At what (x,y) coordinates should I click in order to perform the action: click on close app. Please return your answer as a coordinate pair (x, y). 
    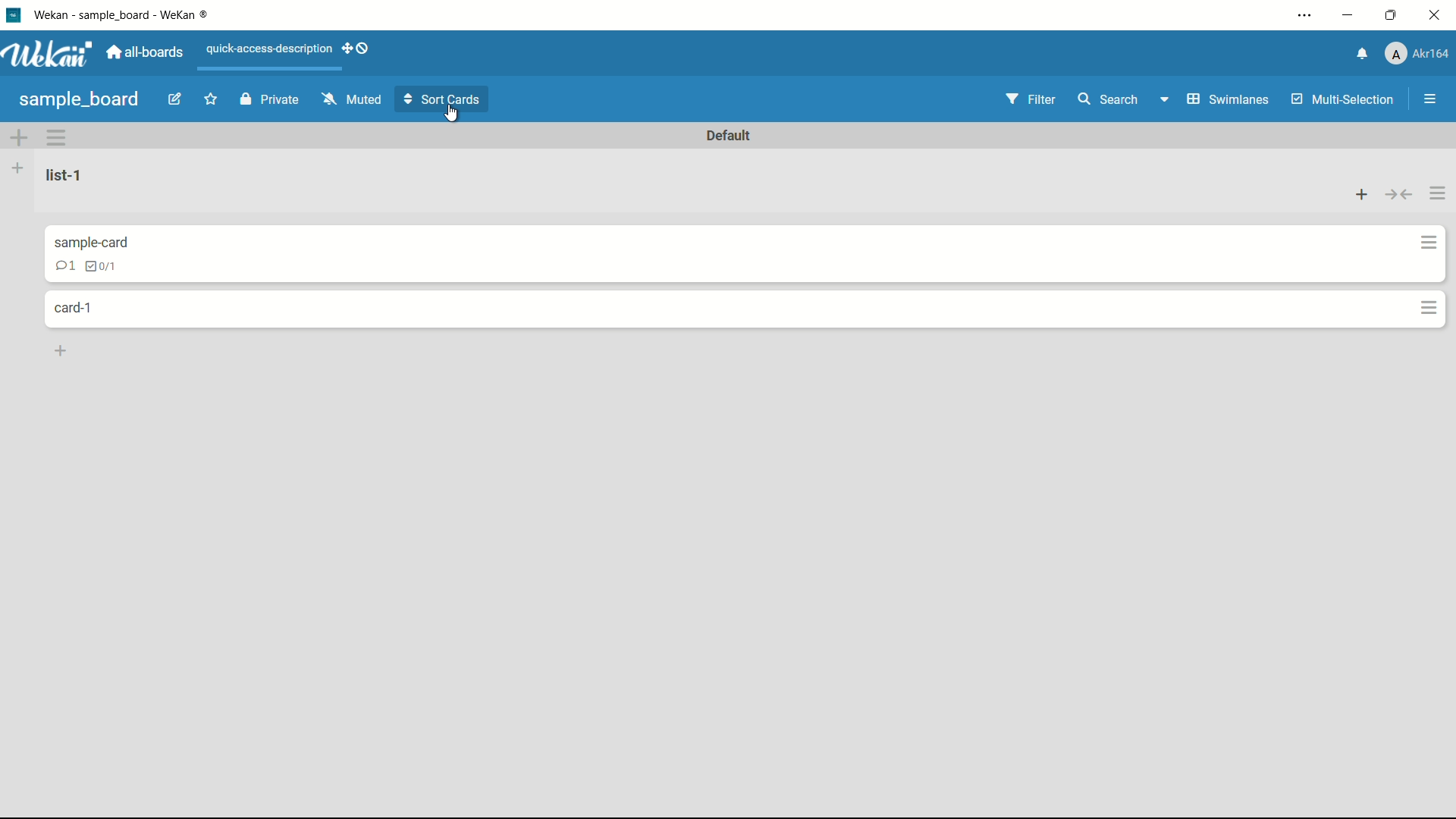
    Looking at the image, I should click on (1436, 15).